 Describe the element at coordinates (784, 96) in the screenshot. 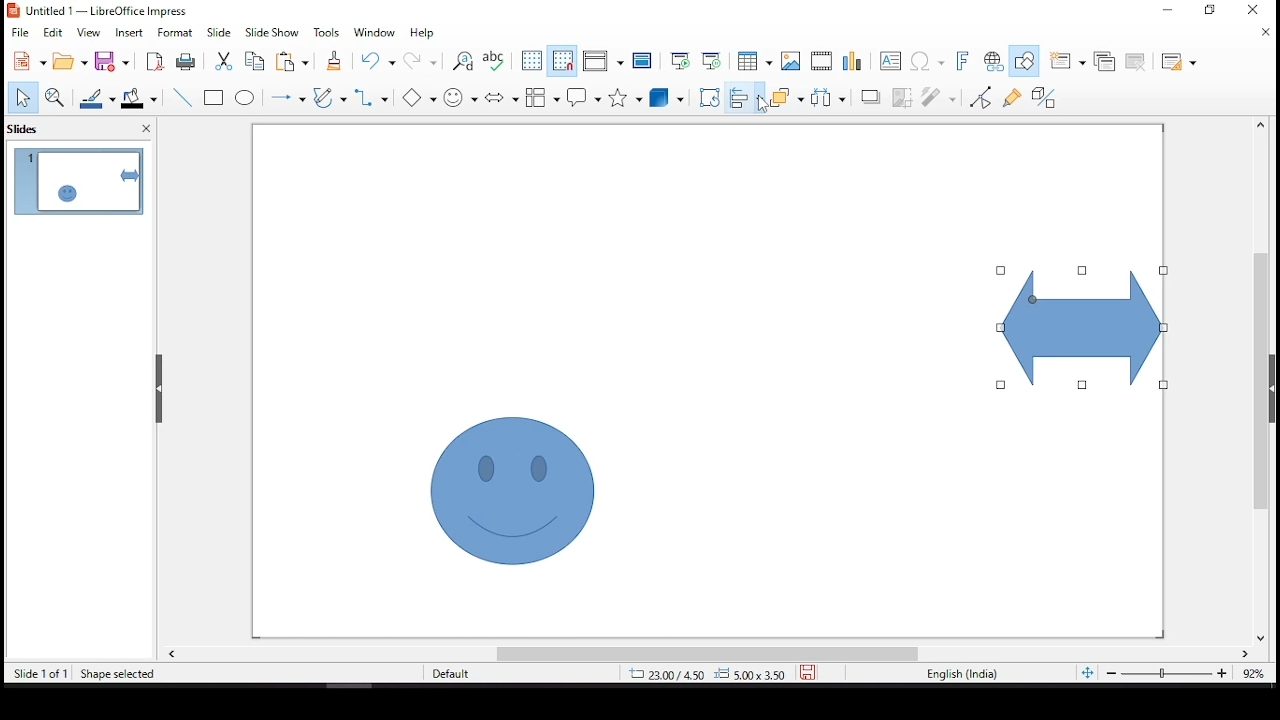

I see `arrange` at that location.